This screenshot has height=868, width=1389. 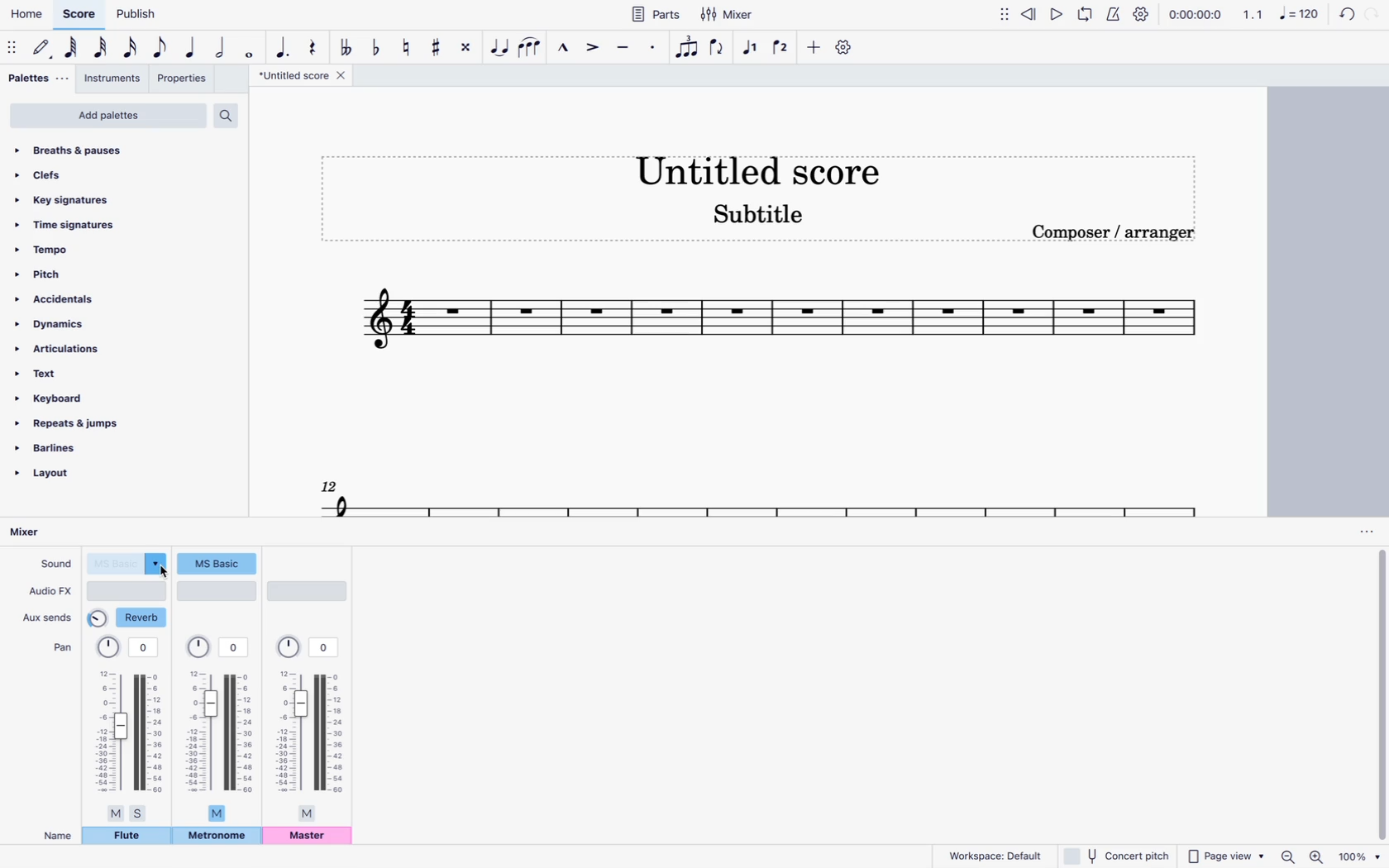 I want to click on eight note, so click(x=161, y=50).